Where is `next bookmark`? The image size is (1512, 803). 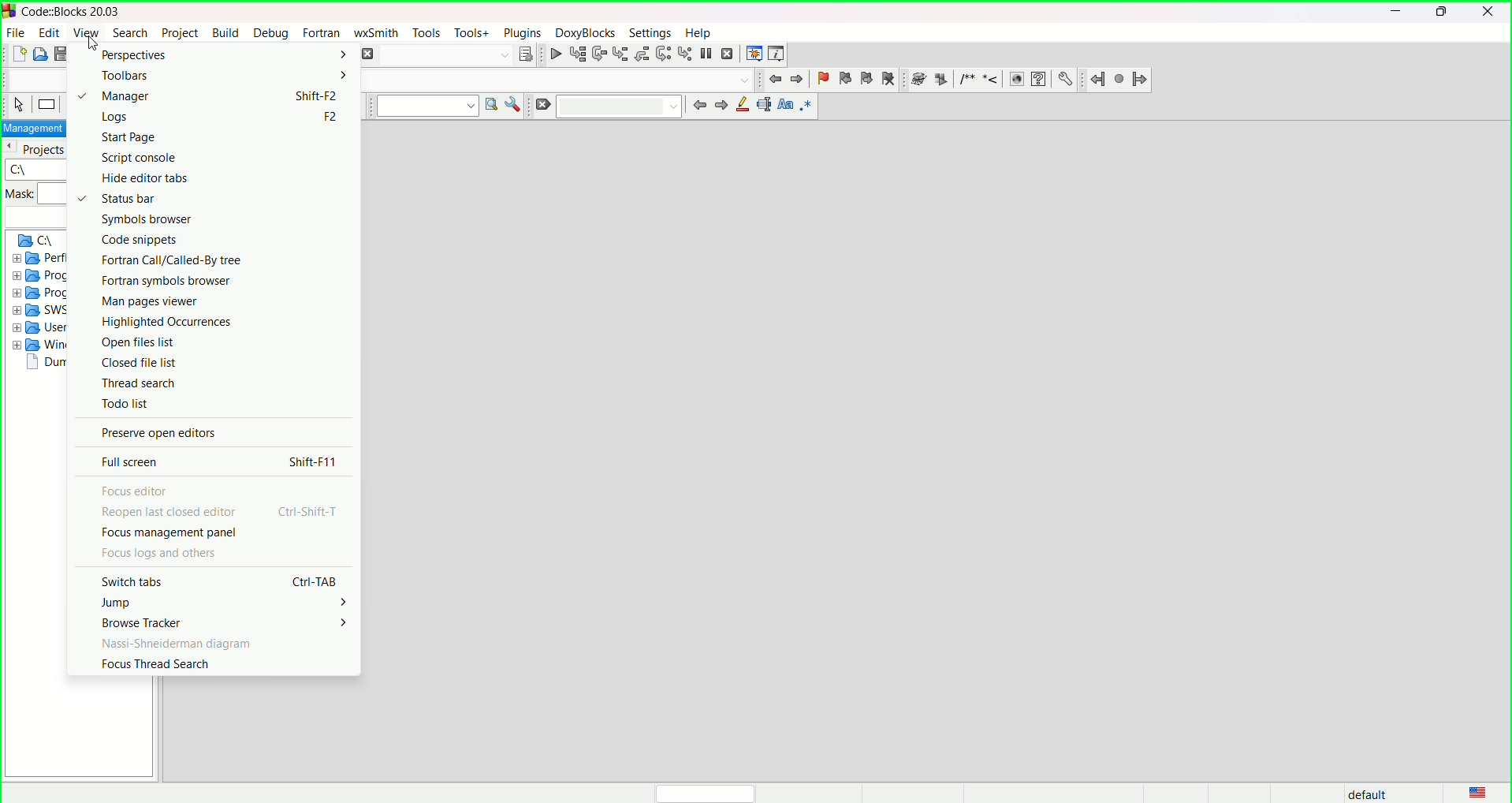
next bookmark is located at coordinates (866, 78).